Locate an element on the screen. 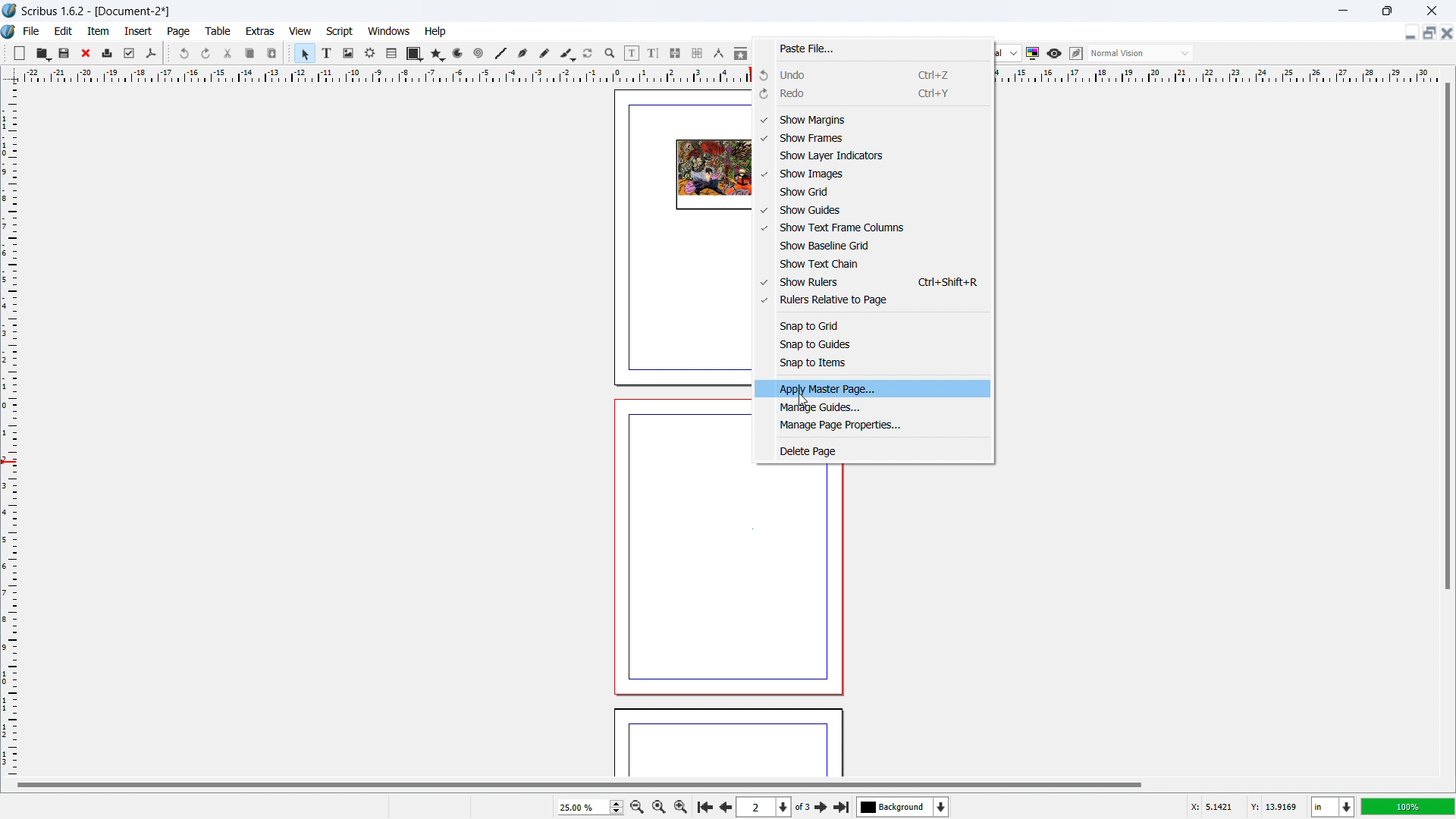 The width and height of the screenshot is (1456, 819). paste file is located at coordinates (873, 49).